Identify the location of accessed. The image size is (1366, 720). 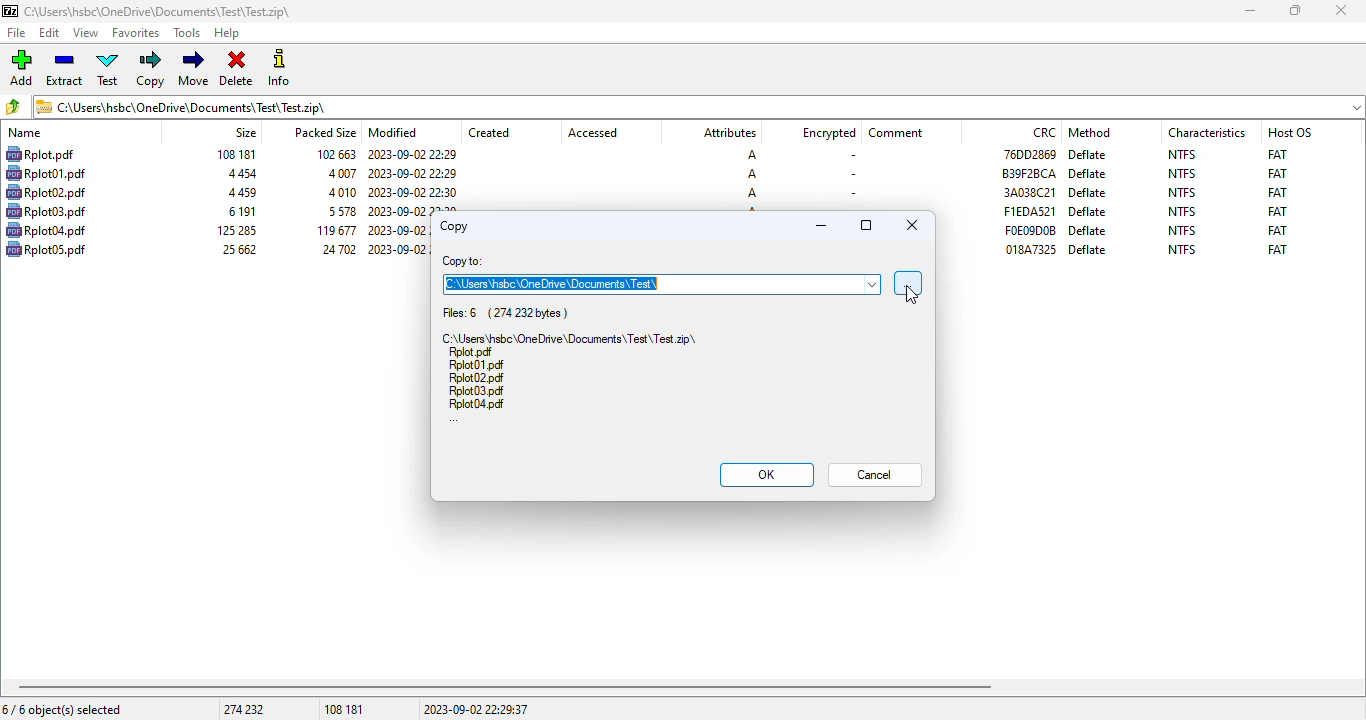
(593, 133).